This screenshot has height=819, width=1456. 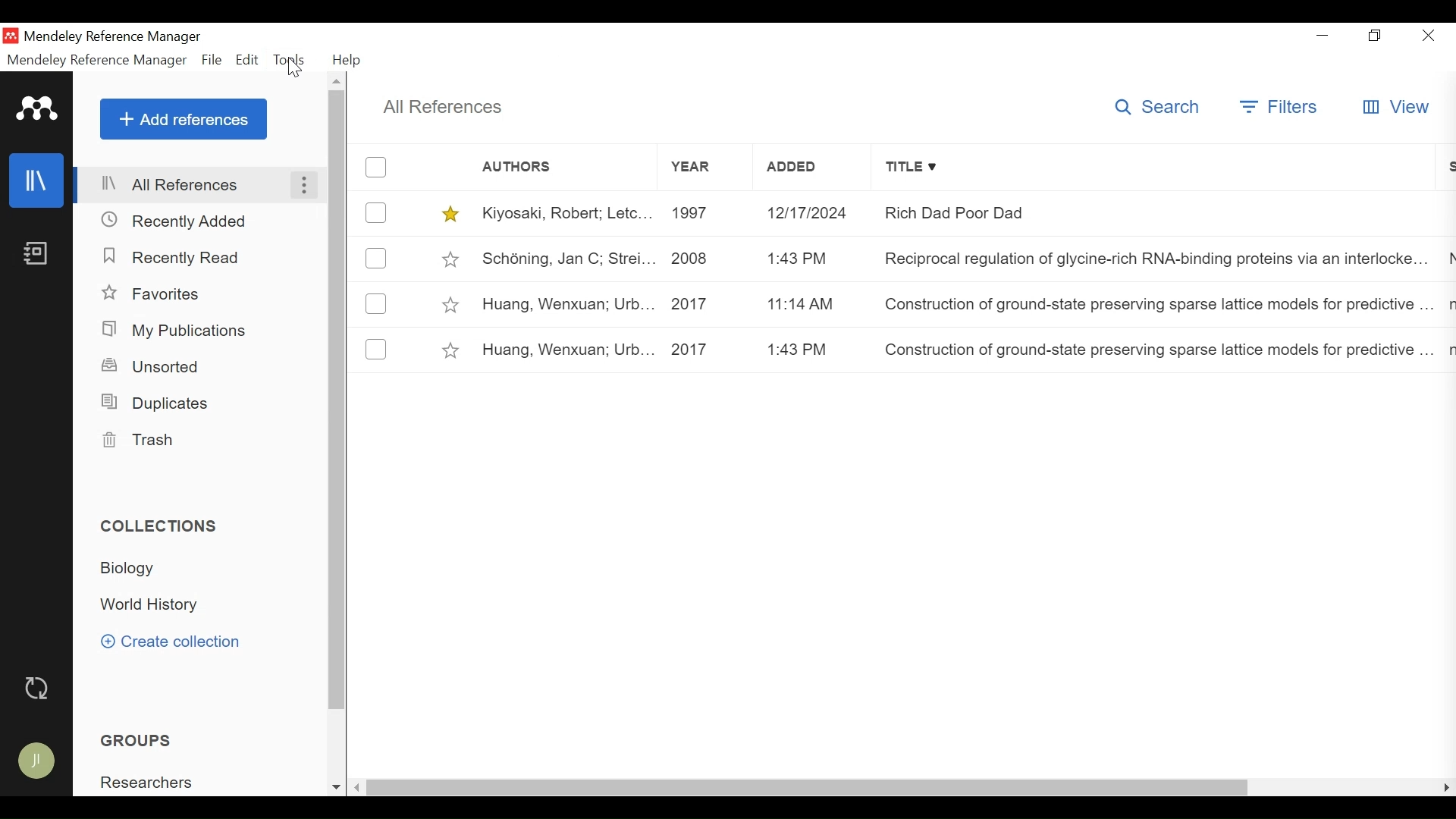 What do you see at coordinates (450, 212) in the screenshot?
I see `Toggle Favorites` at bounding box center [450, 212].